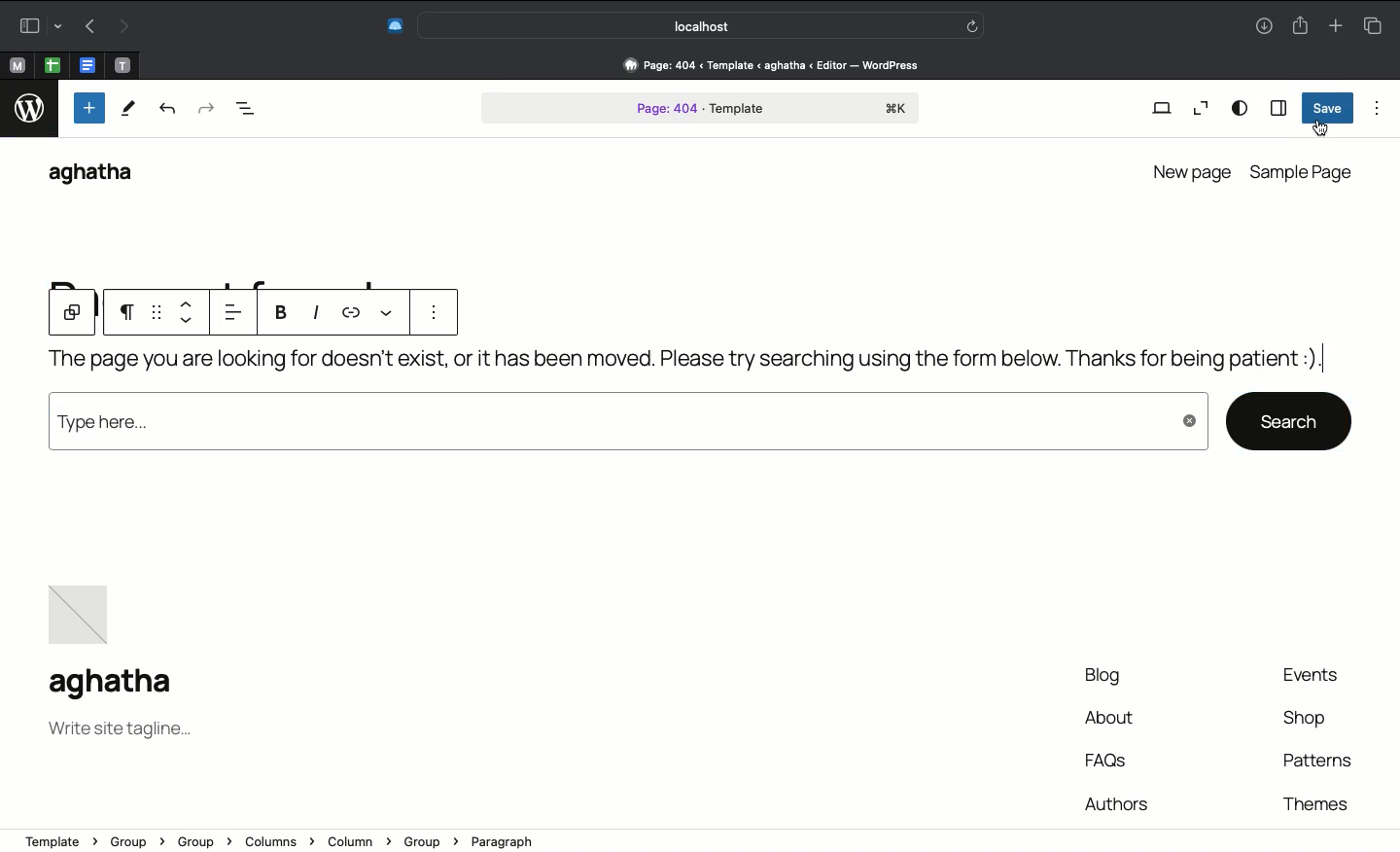  What do you see at coordinates (1315, 761) in the screenshot?
I see `Patterns` at bounding box center [1315, 761].